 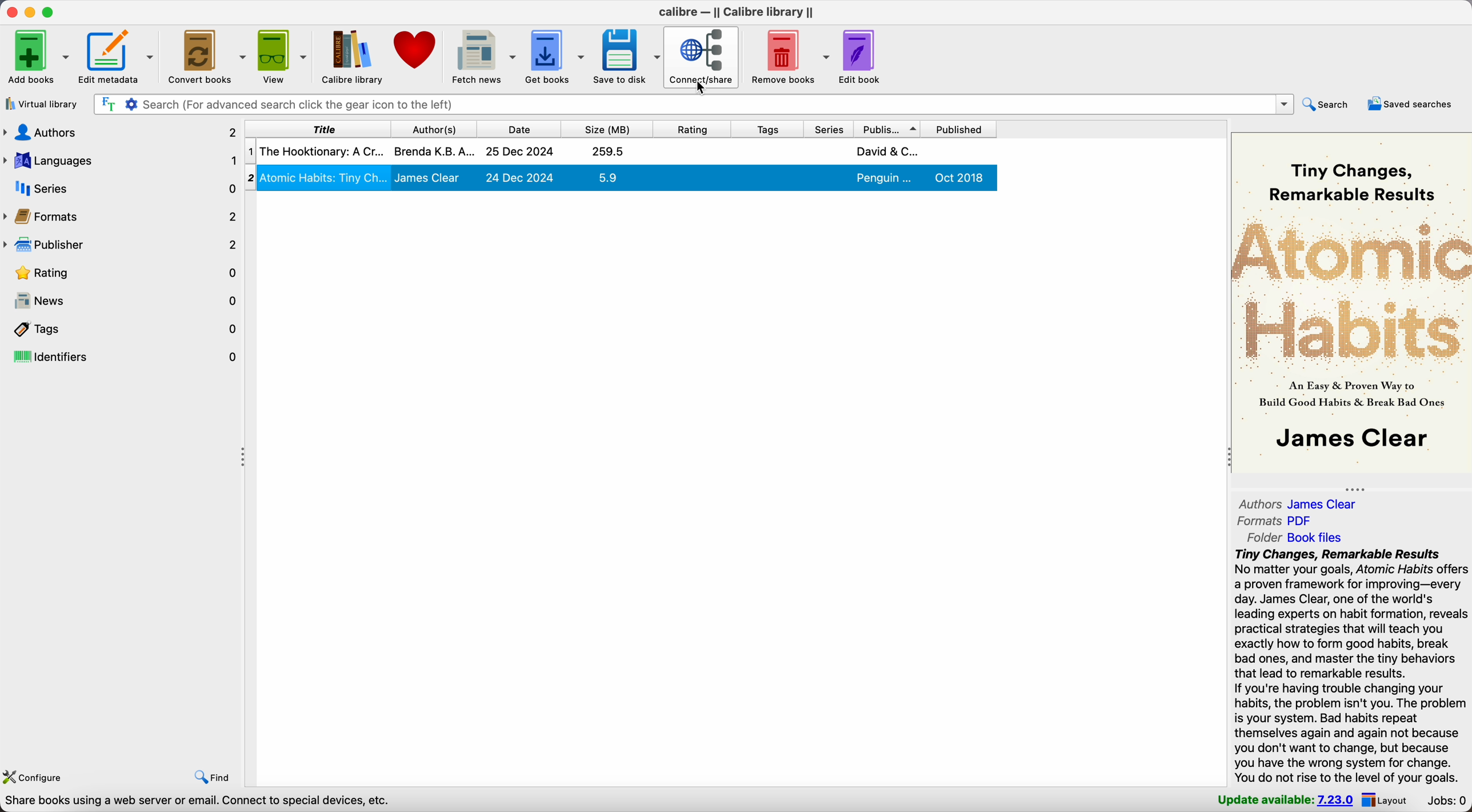 What do you see at coordinates (1298, 503) in the screenshot?
I see `authors James Clear` at bounding box center [1298, 503].